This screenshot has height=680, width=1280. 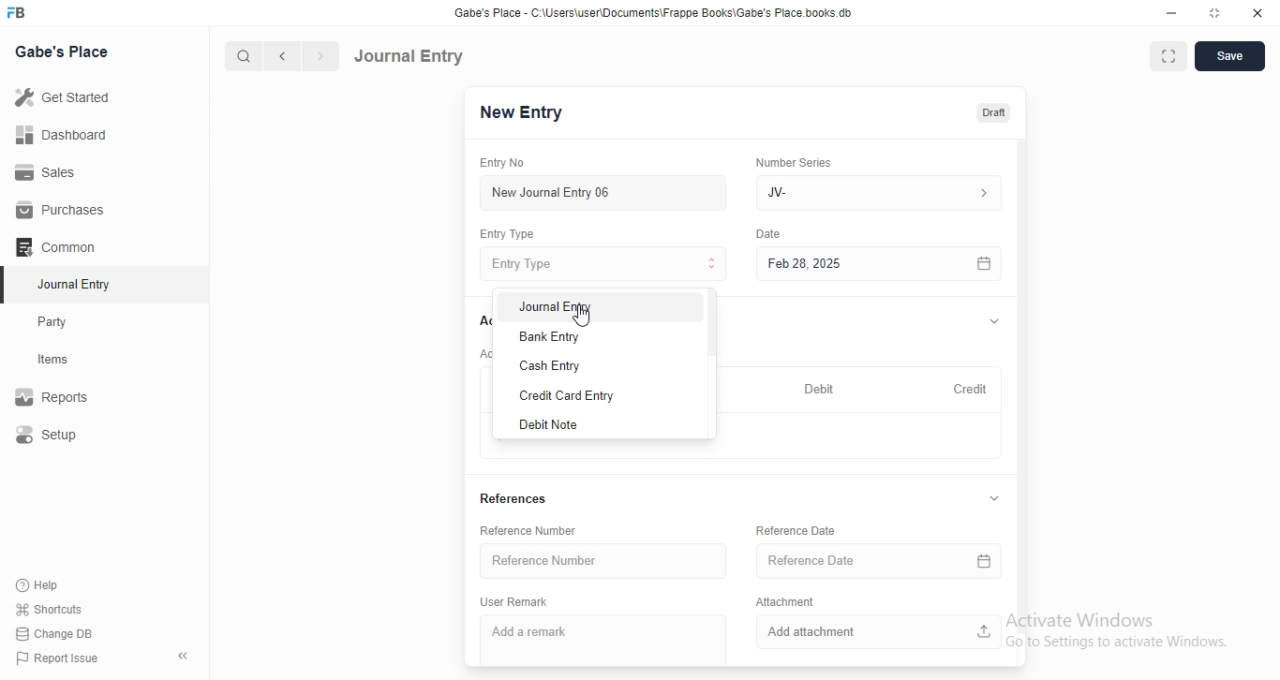 I want to click on ‘Number Series, so click(x=805, y=160).